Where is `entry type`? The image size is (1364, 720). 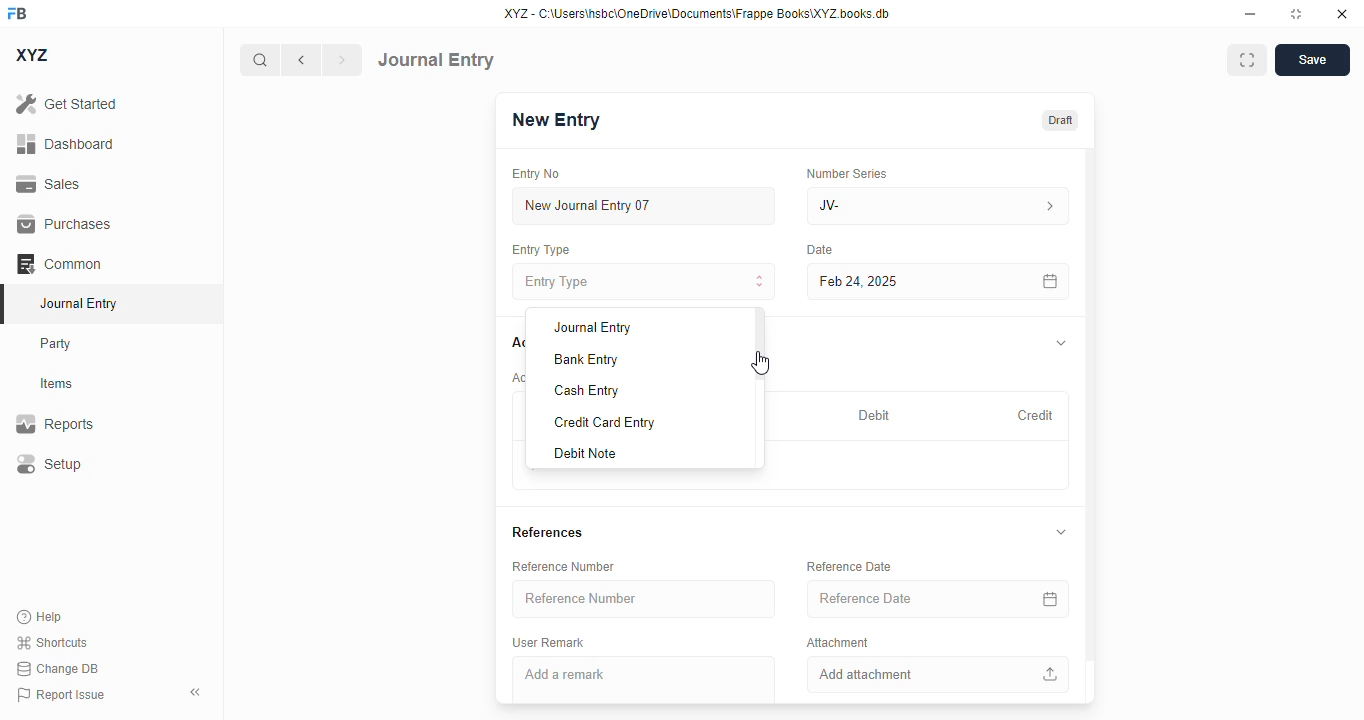
entry type is located at coordinates (643, 280).